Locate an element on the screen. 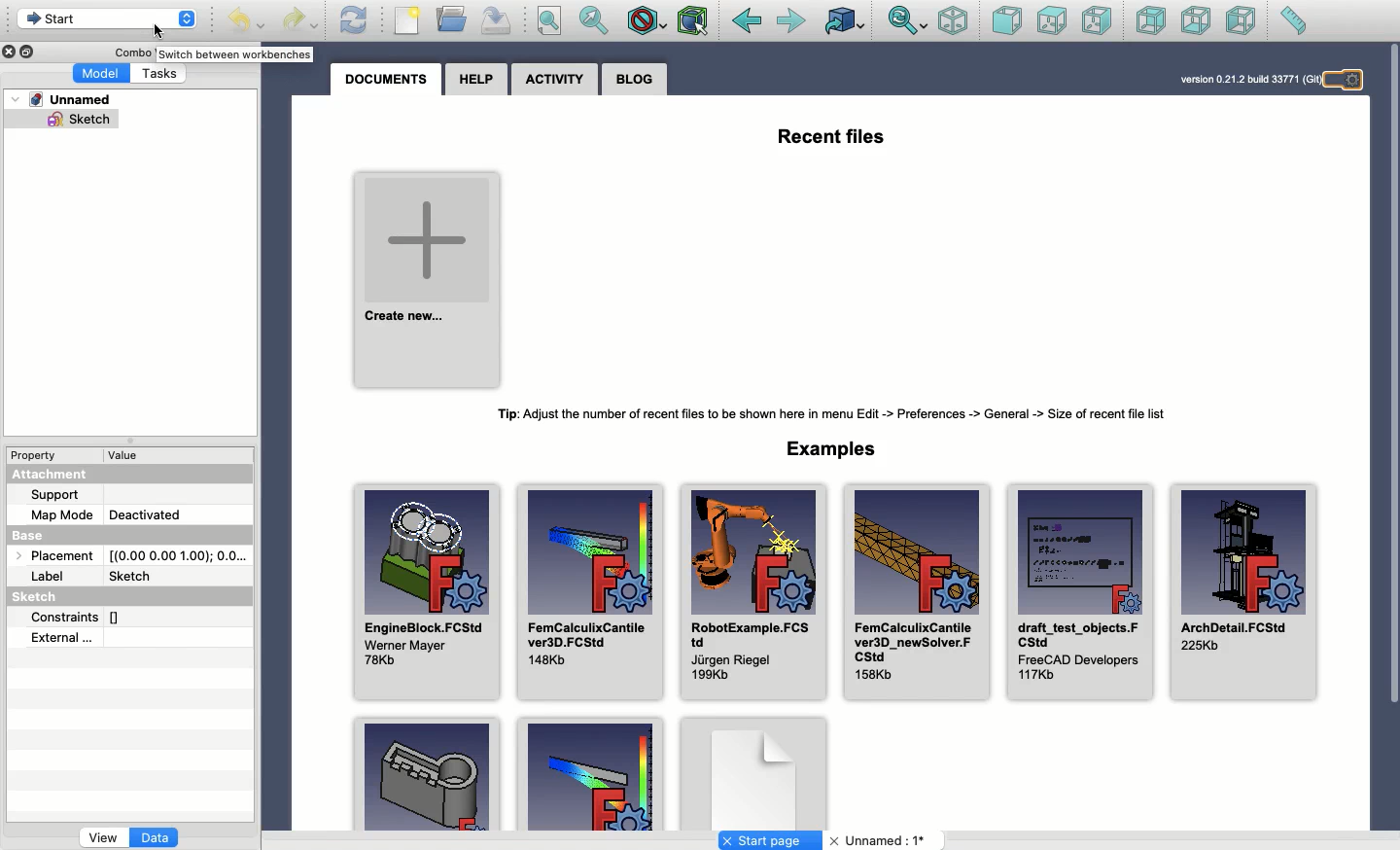 This screenshot has width=1400, height=850. Workbench is located at coordinates (94, 22).